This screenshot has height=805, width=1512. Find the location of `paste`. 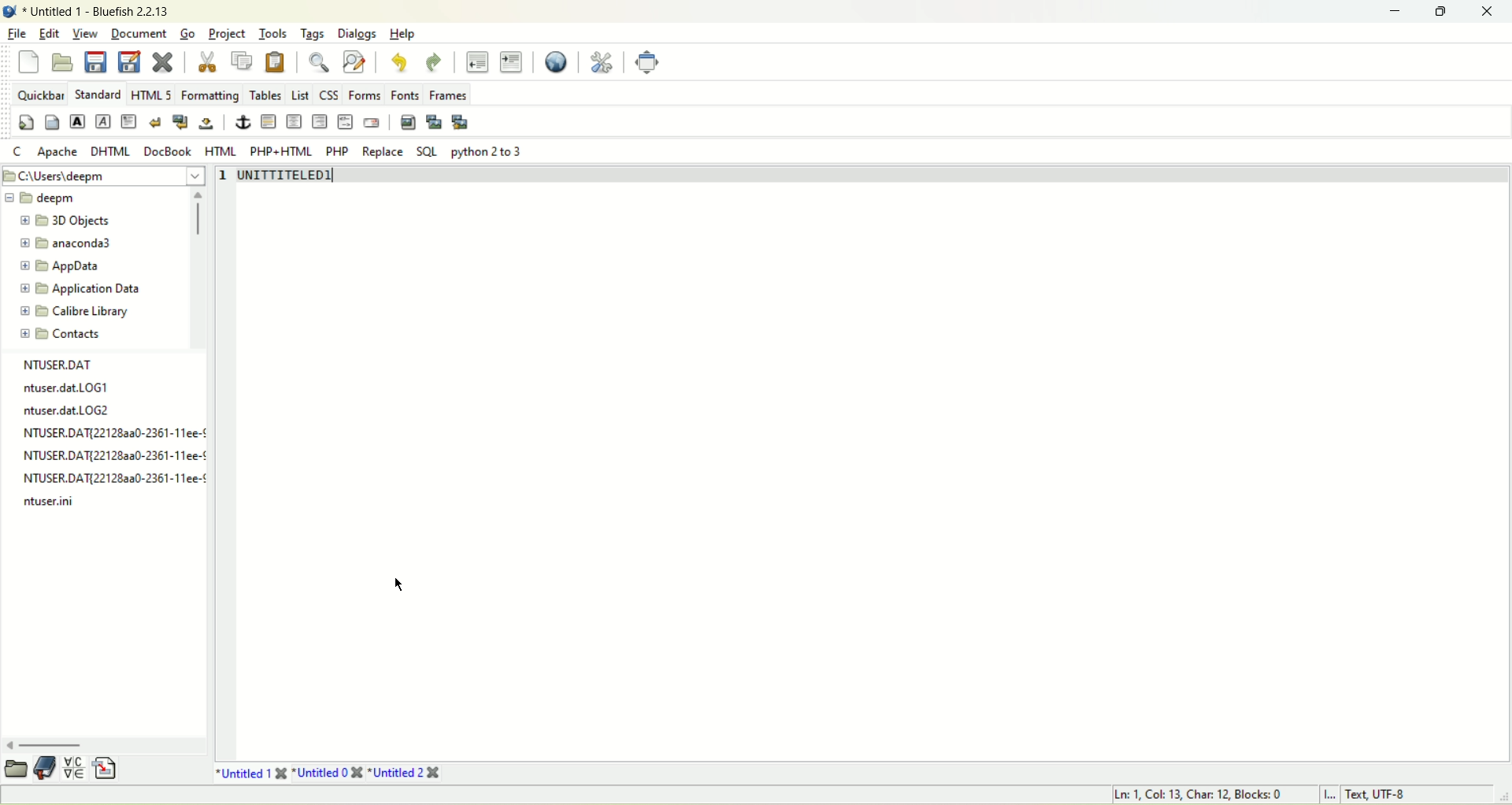

paste is located at coordinates (276, 62).